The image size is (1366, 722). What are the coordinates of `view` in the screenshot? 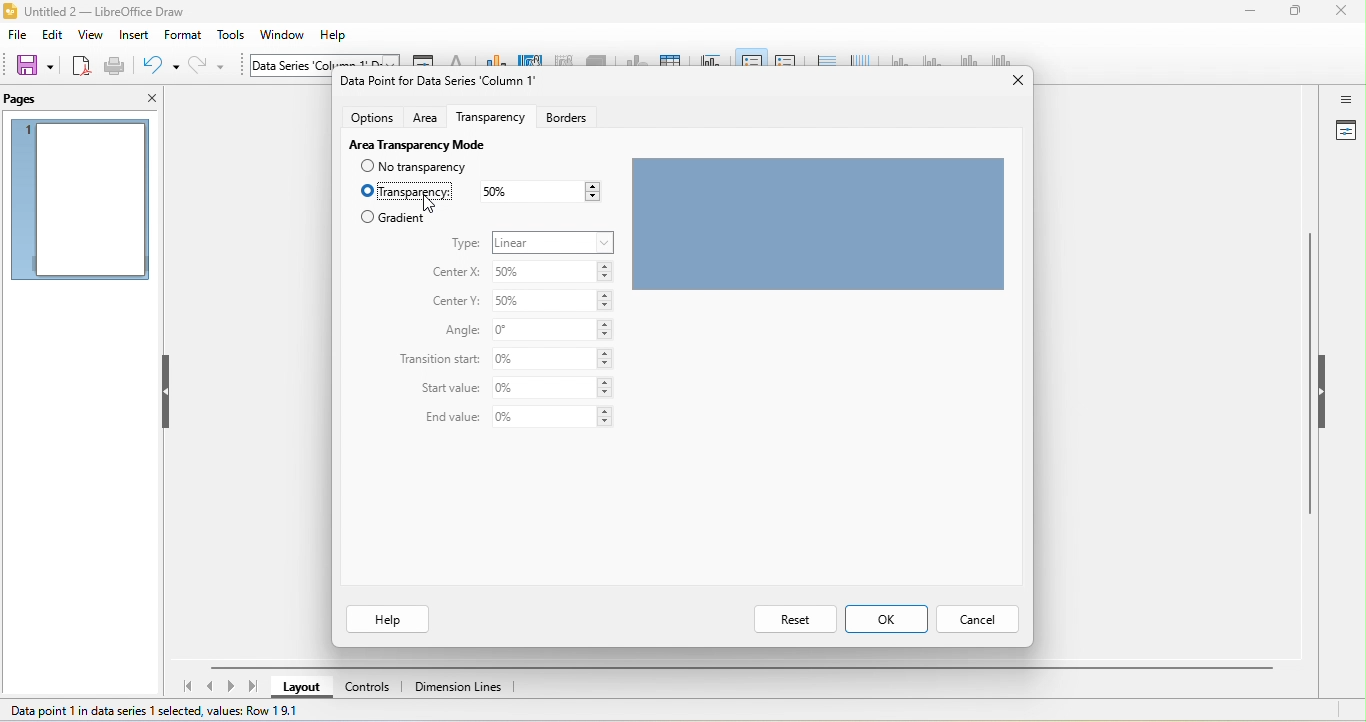 It's located at (91, 36).